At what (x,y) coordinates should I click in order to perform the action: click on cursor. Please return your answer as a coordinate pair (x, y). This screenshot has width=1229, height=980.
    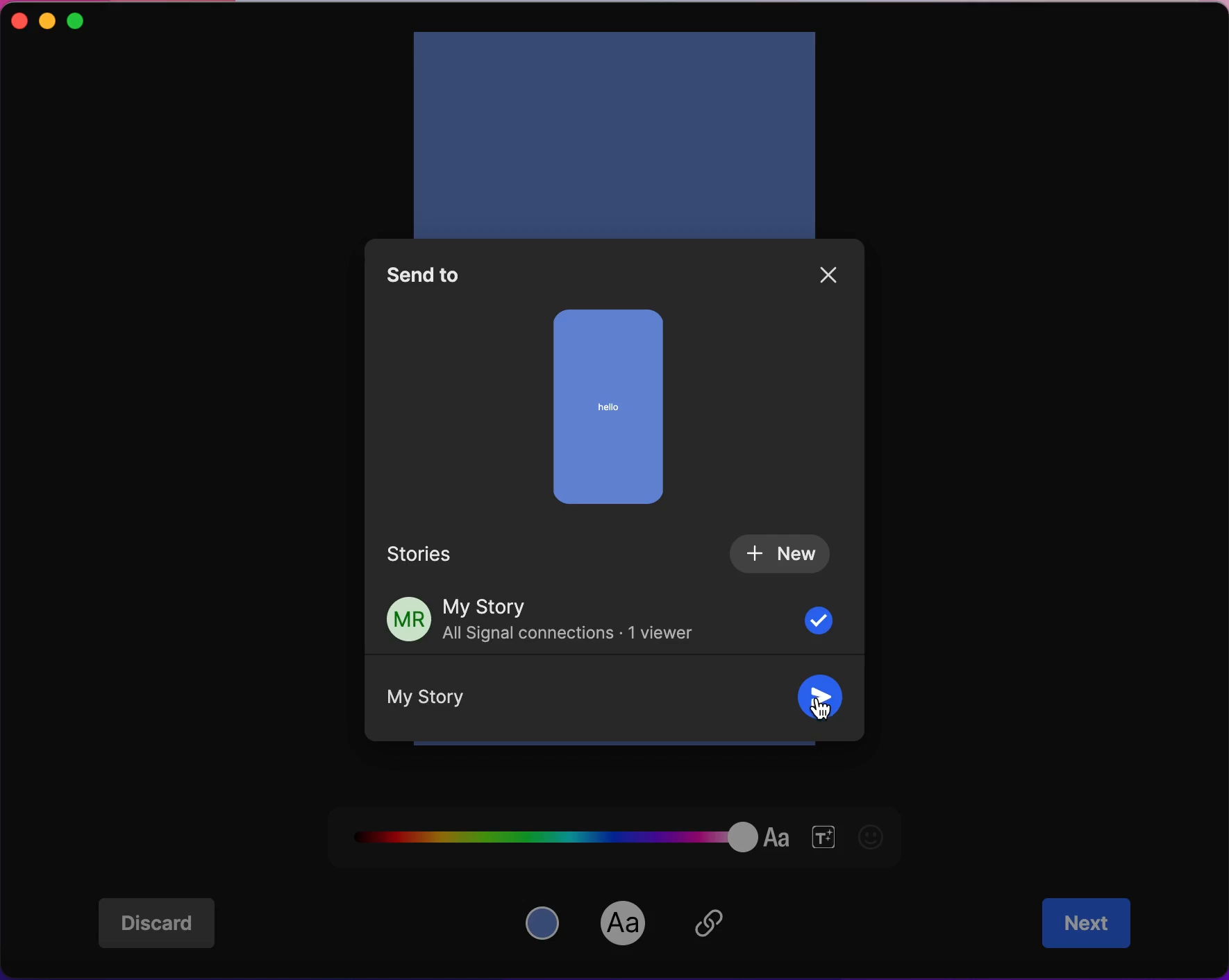
    Looking at the image, I should click on (823, 713).